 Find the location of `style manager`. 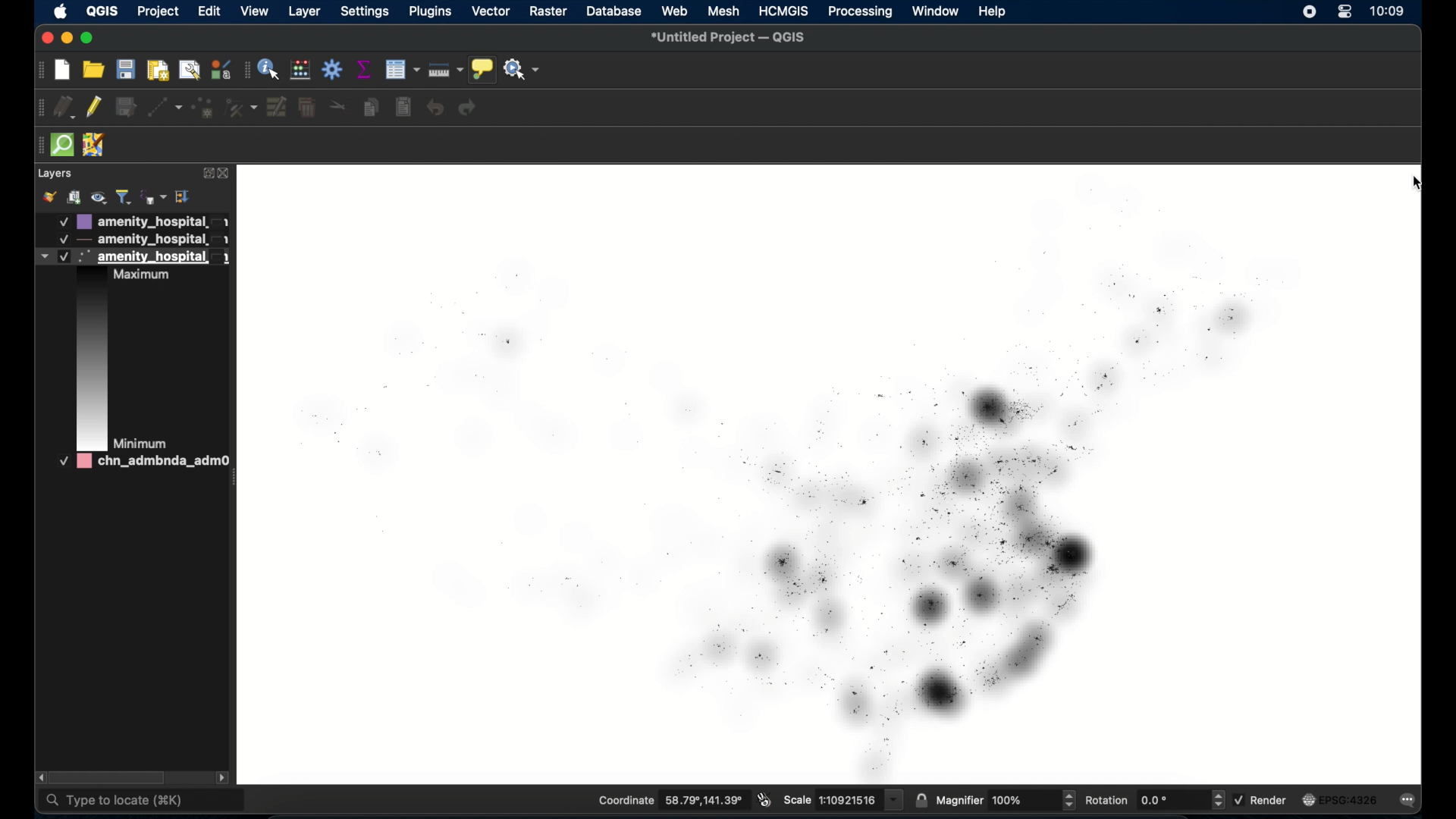

style manager is located at coordinates (48, 197).